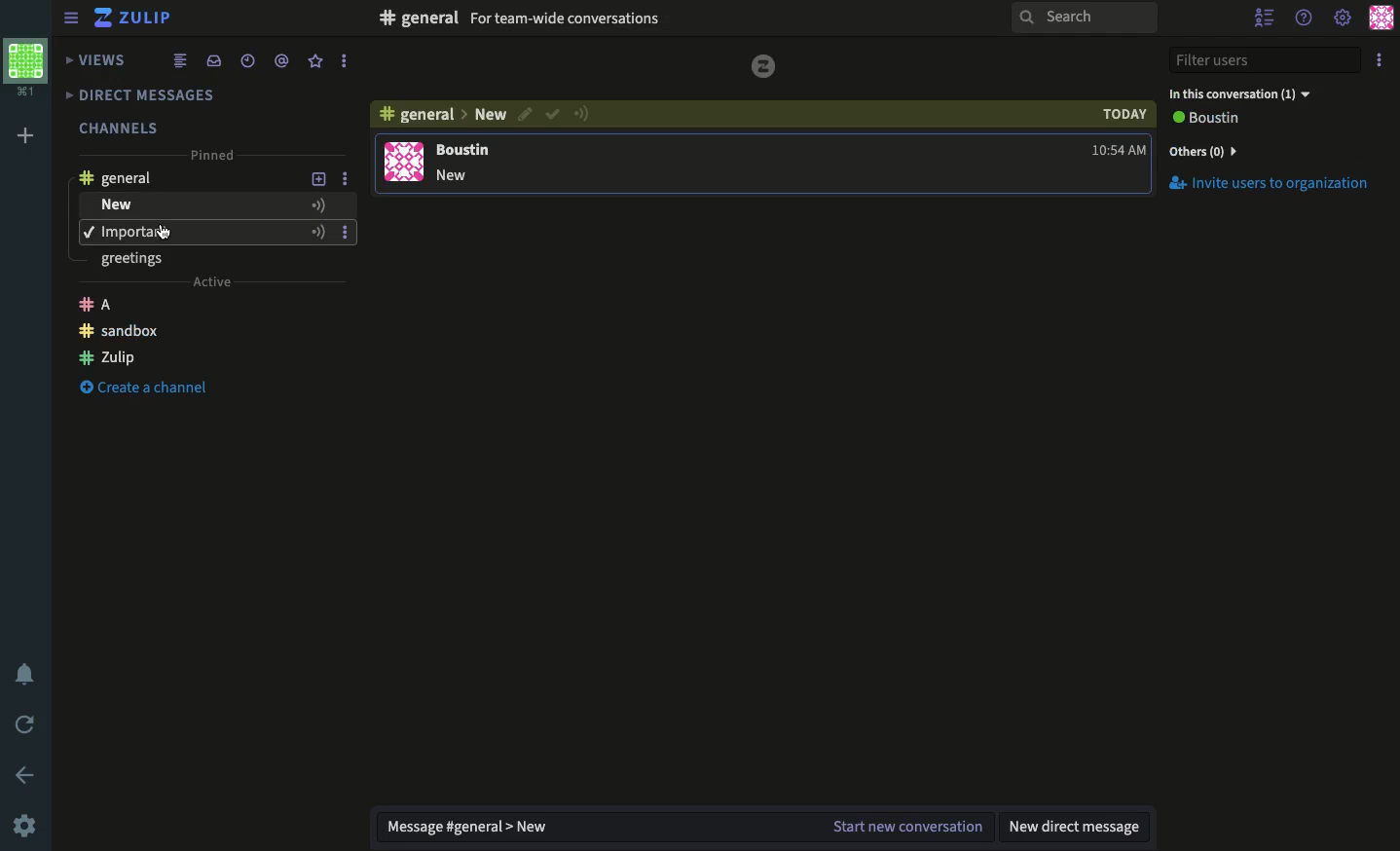 The width and height of the screenshot is (1400, 851). I want to click on Mention, so click(285, 60).